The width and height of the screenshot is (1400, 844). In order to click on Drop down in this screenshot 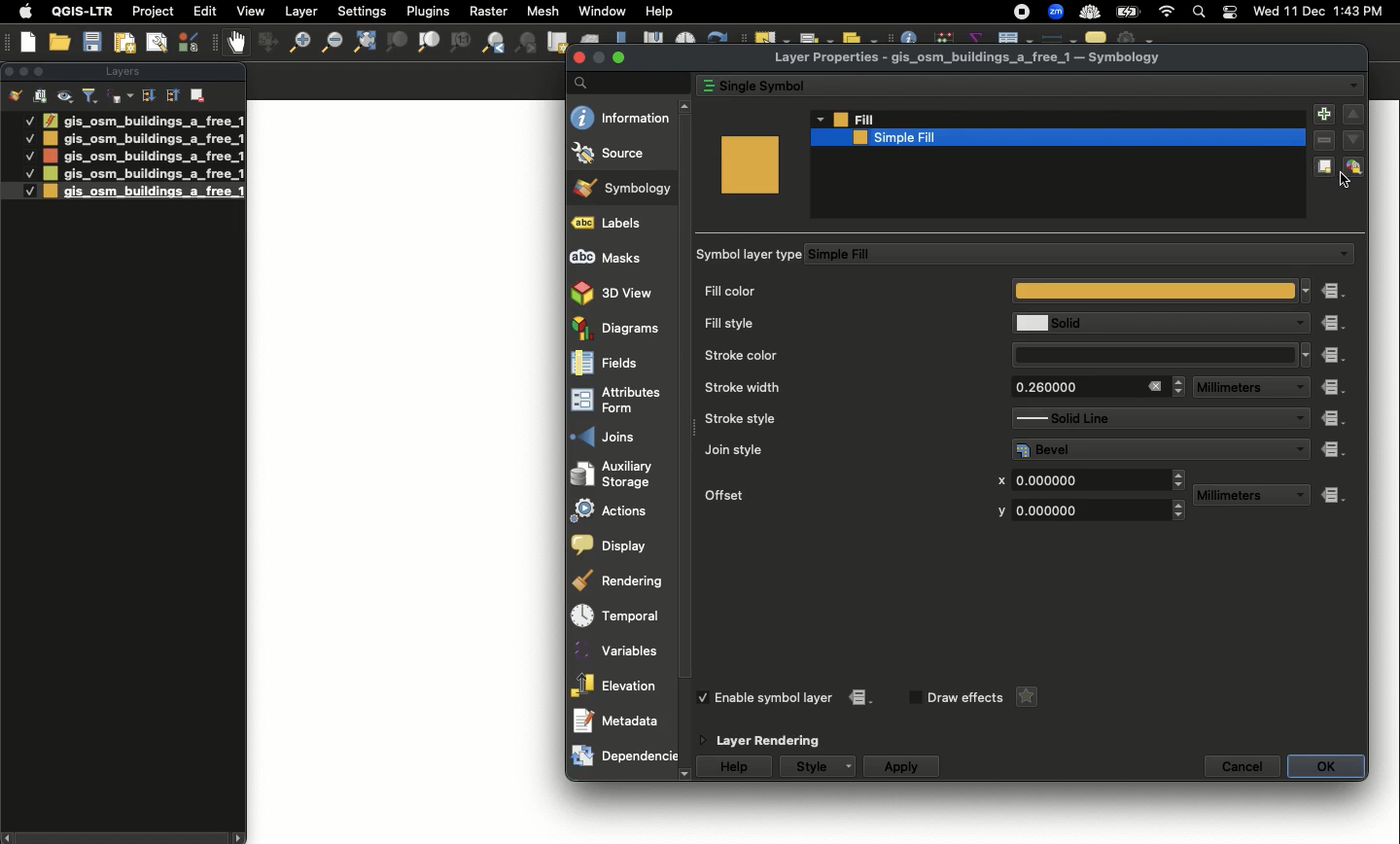, I will do `click(852, 766)`.